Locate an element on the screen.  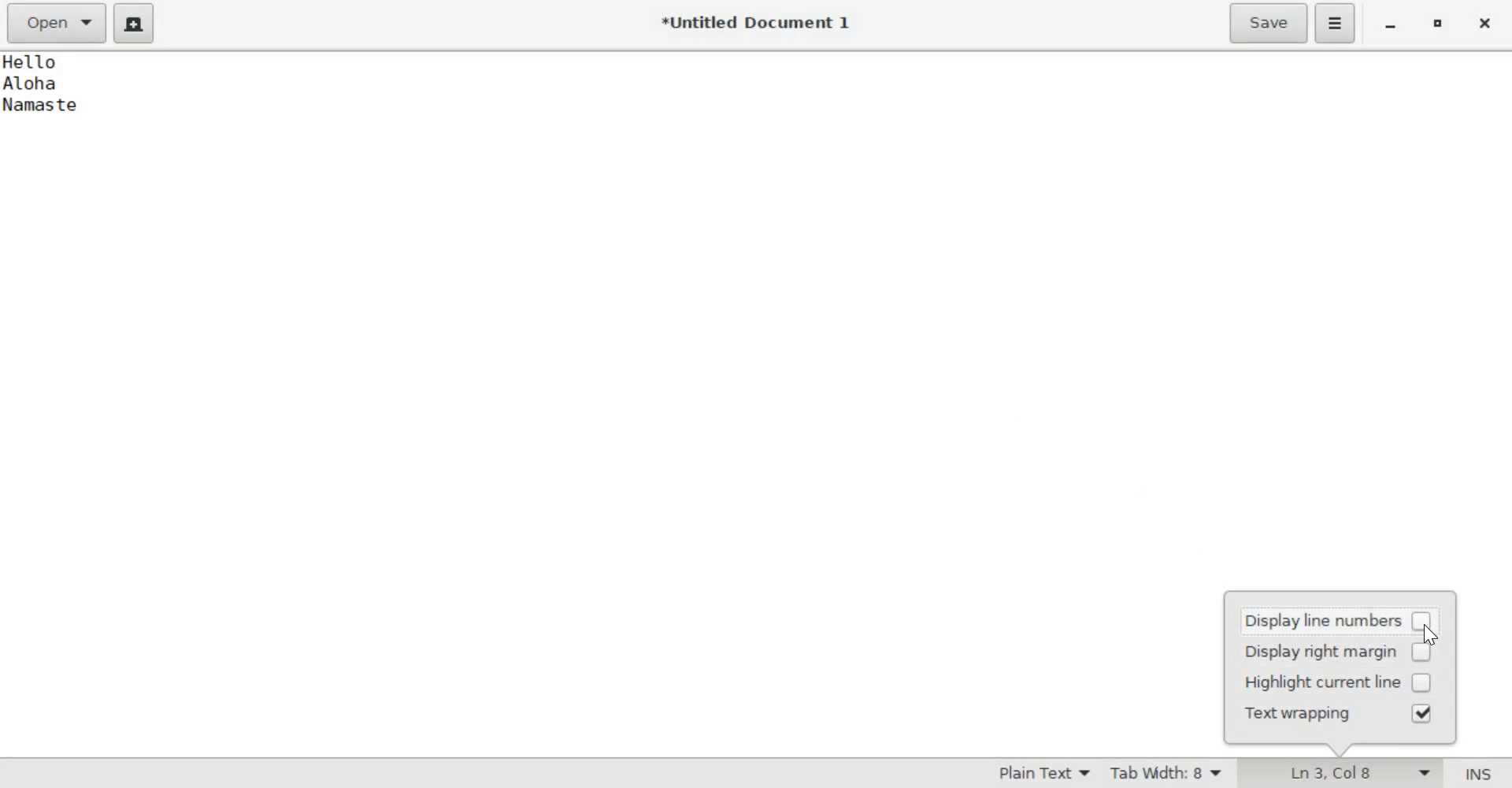
Text is located at coordinates (77, 103).